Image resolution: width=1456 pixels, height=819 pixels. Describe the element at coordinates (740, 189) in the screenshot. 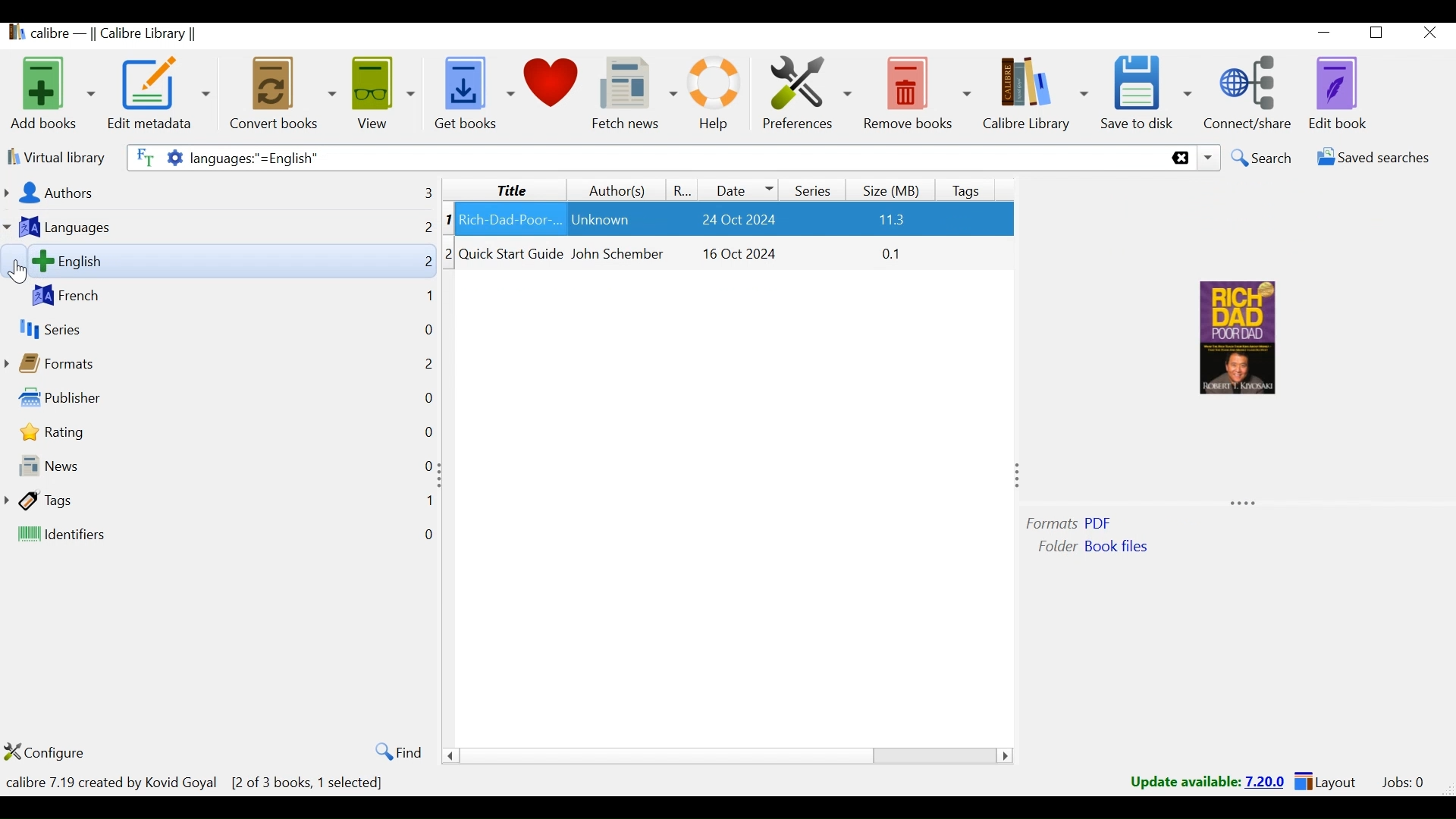

I see `Date` at that location.